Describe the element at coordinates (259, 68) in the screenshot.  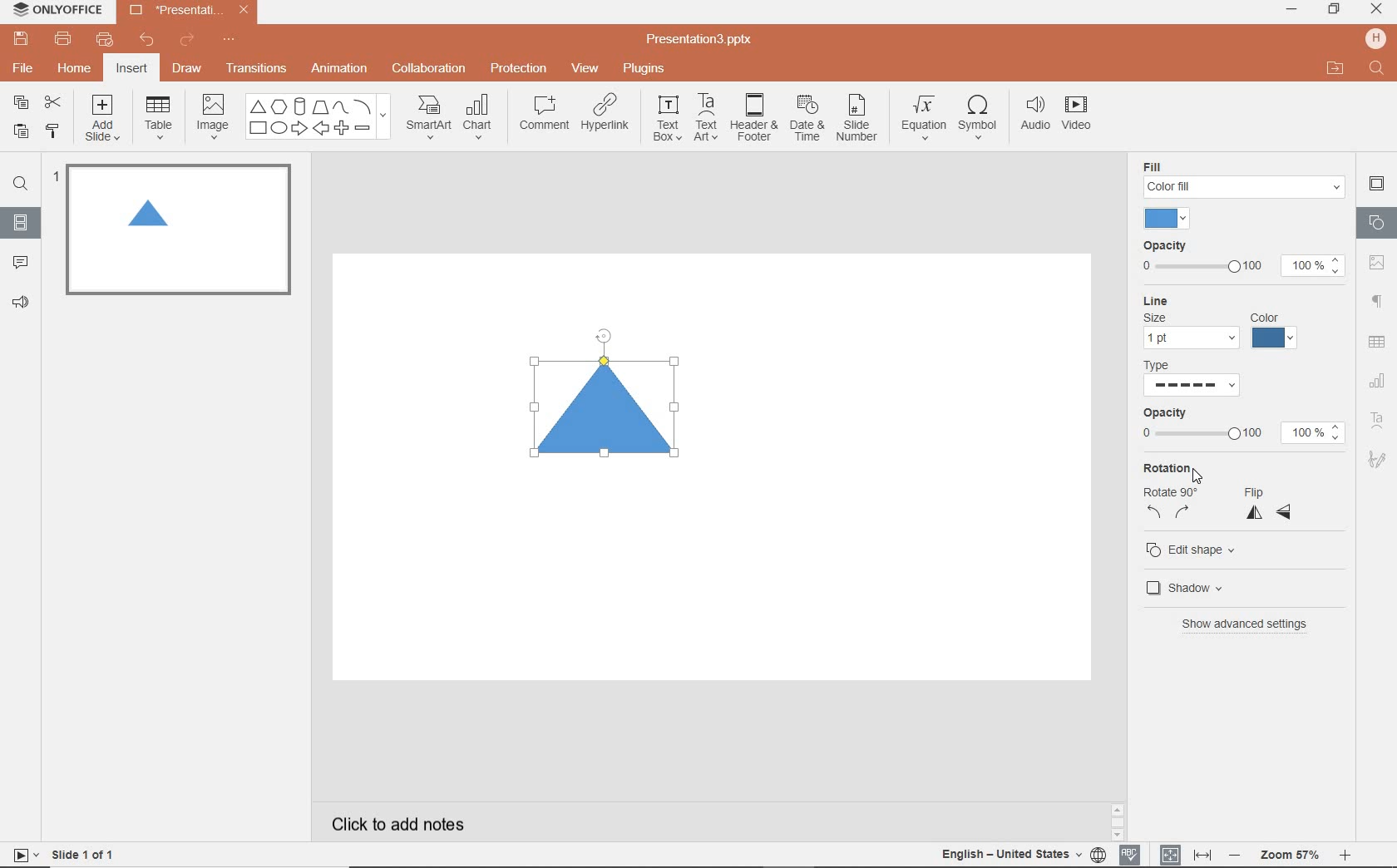
I see `TRANSITIONS` at that location.